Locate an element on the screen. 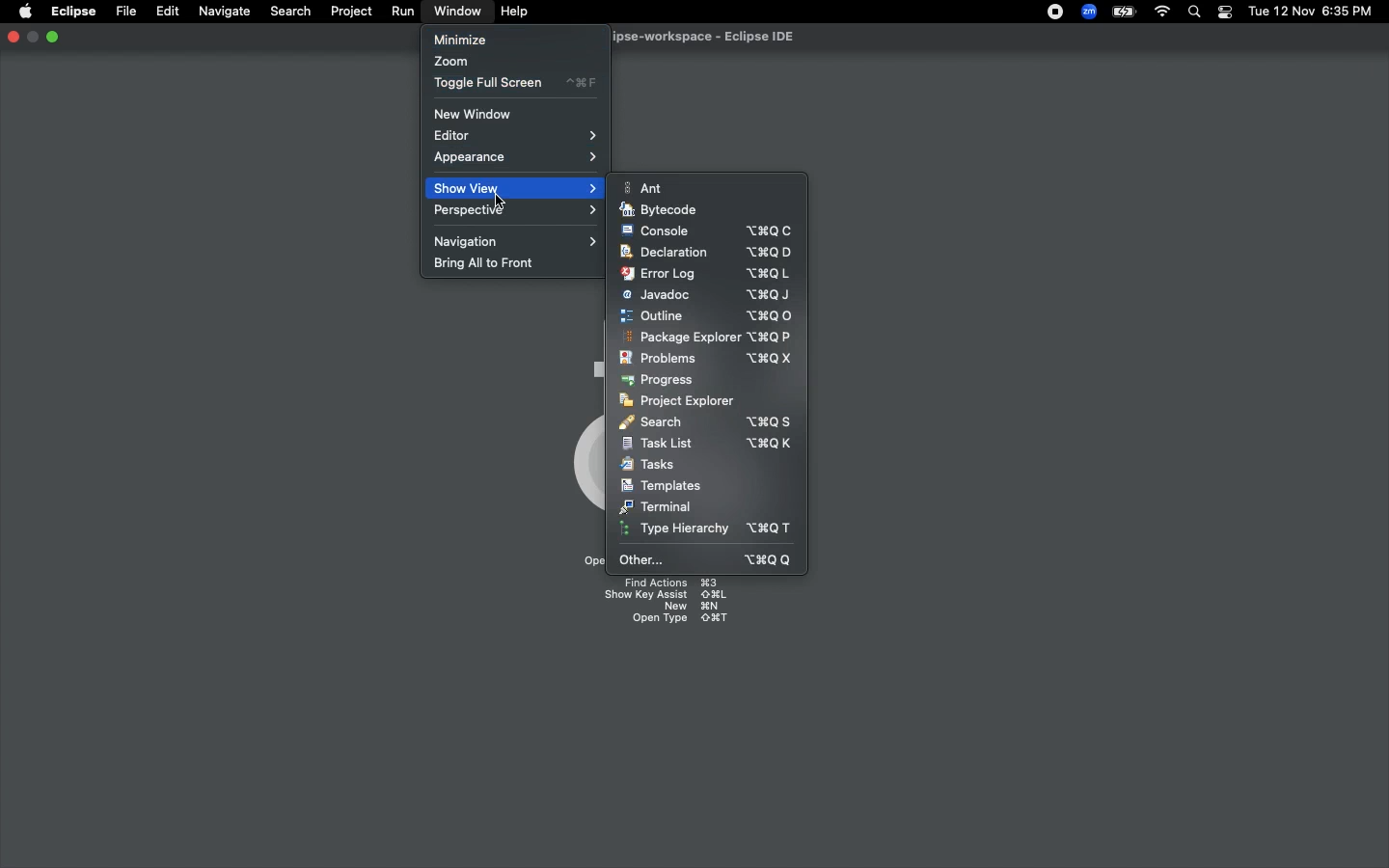  New window is located at coordinates (479, 114).